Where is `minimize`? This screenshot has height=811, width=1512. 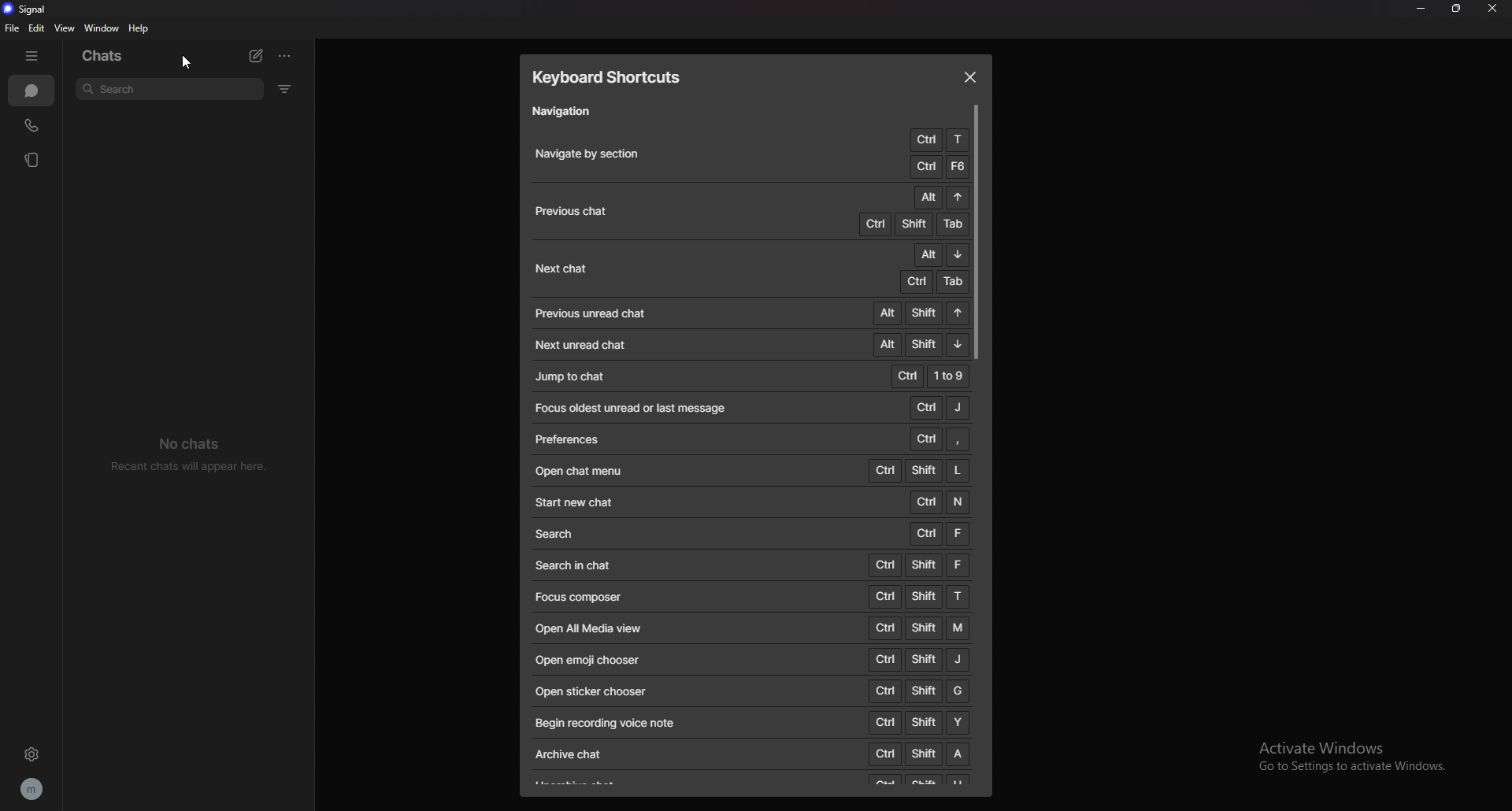 minimize is located at coordinates (1421, 9).